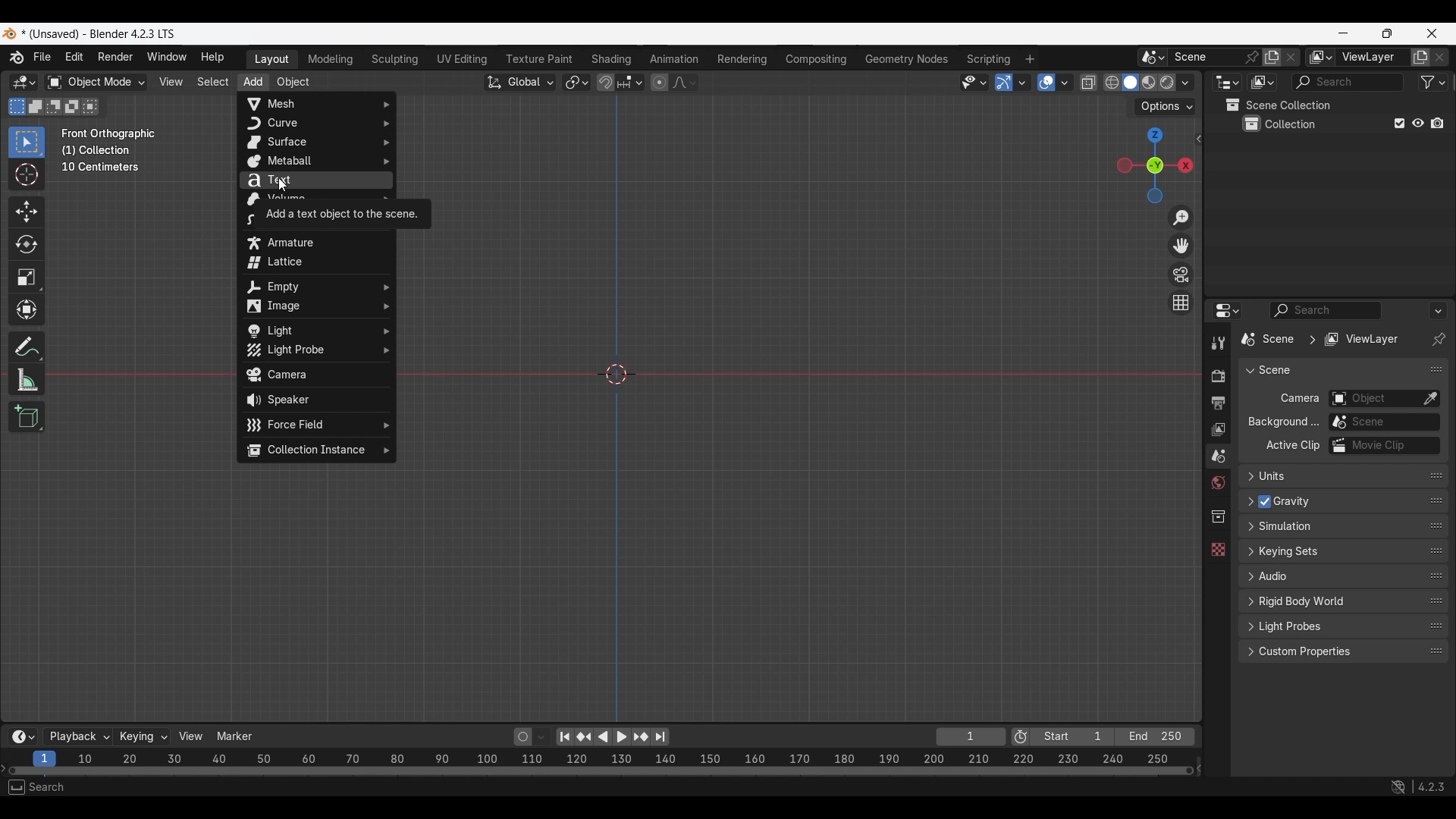 Image resolution: width=1456 pixels, height=819 pixels. Describe the element at coordinates (17, 58) in the screenshot. I see `More about Blender` at that location.